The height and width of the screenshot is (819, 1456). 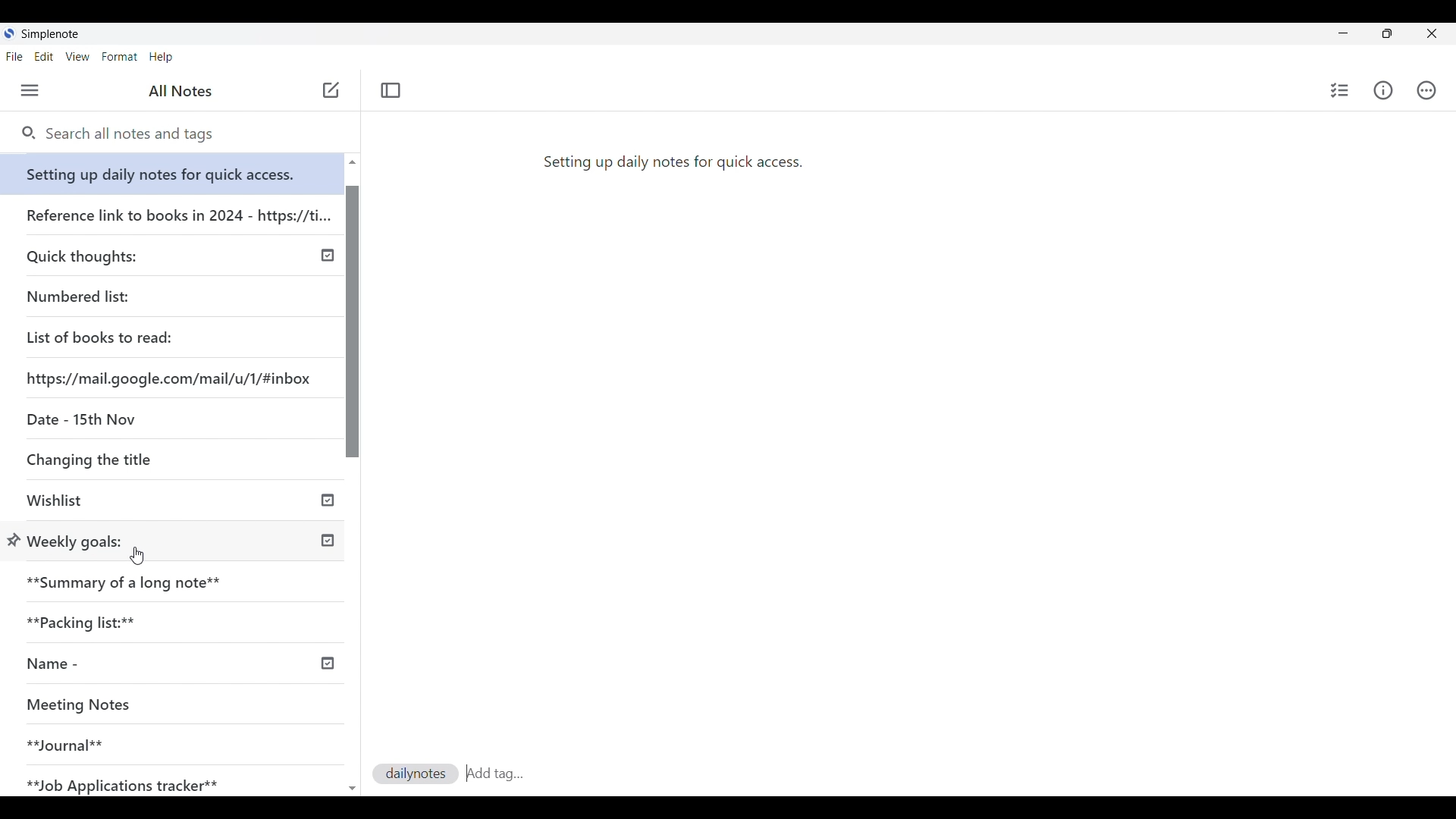 I want to click on Cursor , so click(x=136, y=556).